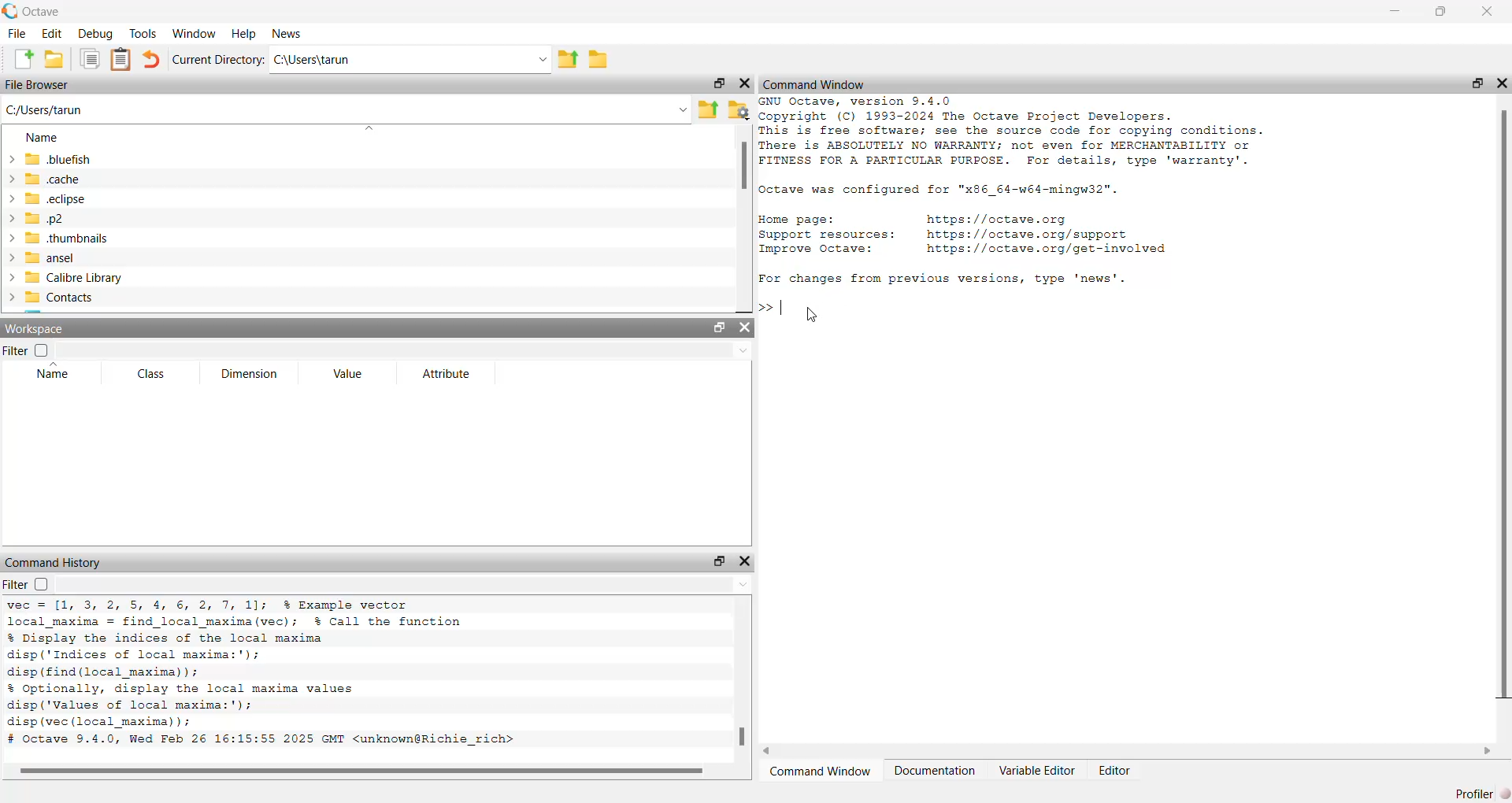 This screenshot has width=1512, height=803. What do you see at coordinates (50, 258) in the screenshot?
I see `ansel` at bounding box center [50, 258].